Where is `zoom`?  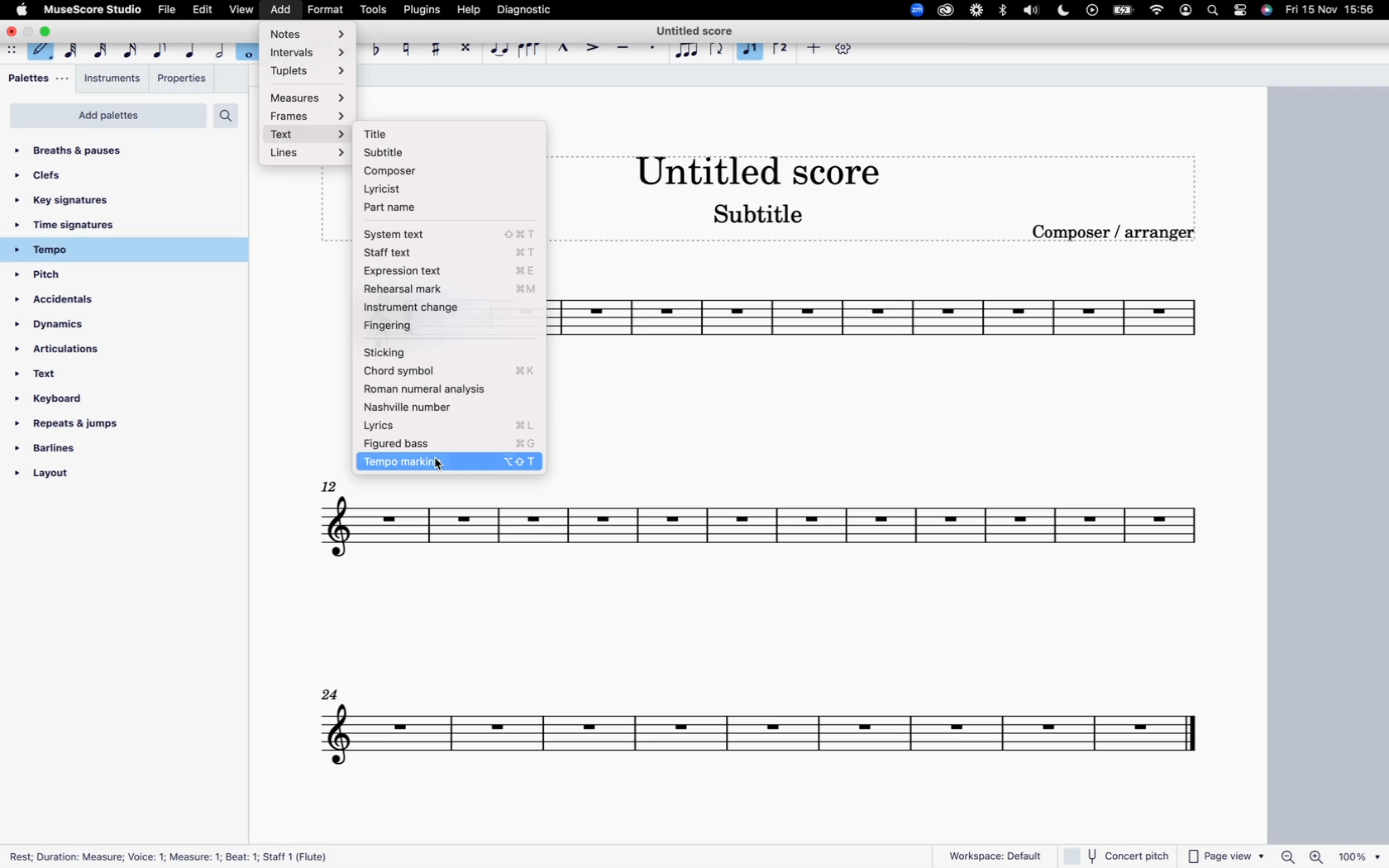 zoom is located at coordinates (913, 8).